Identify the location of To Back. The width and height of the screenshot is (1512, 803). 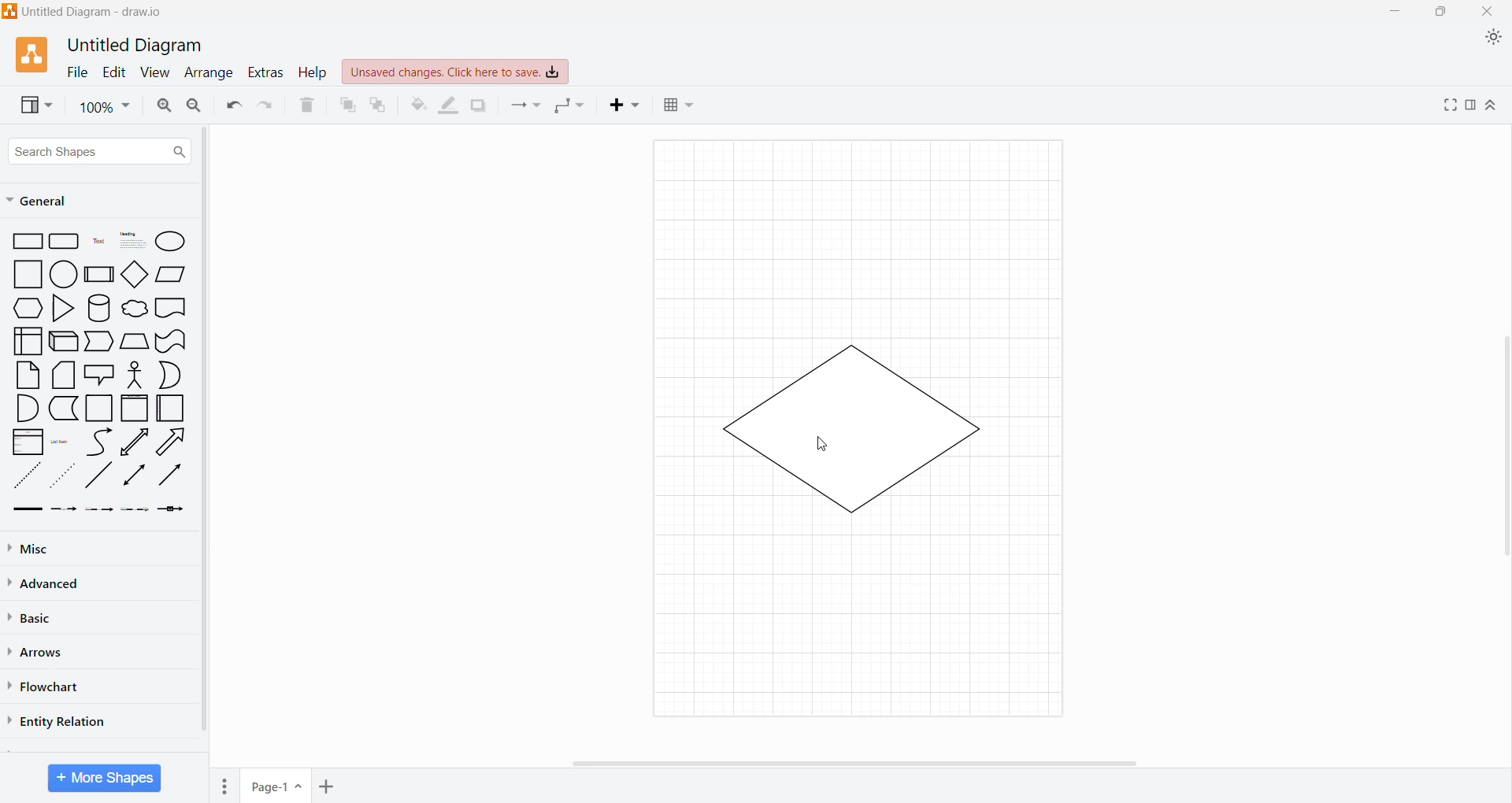
(379, 105).